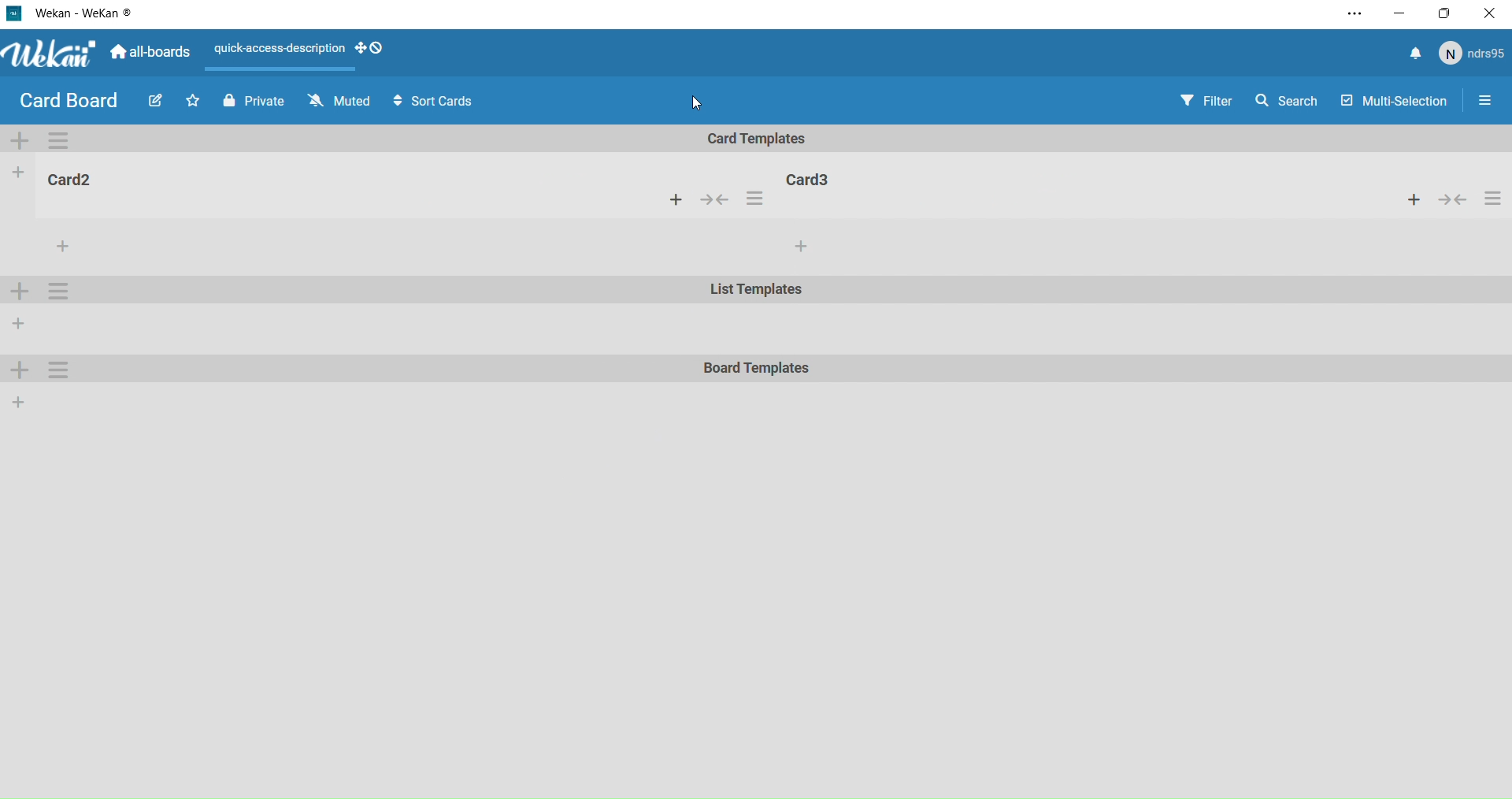 This screenshot has width=1512, height=799. What do you see at coordinates (1493, 199) in the screenshot?
I see `actions` at bounding box center [1493, 199].